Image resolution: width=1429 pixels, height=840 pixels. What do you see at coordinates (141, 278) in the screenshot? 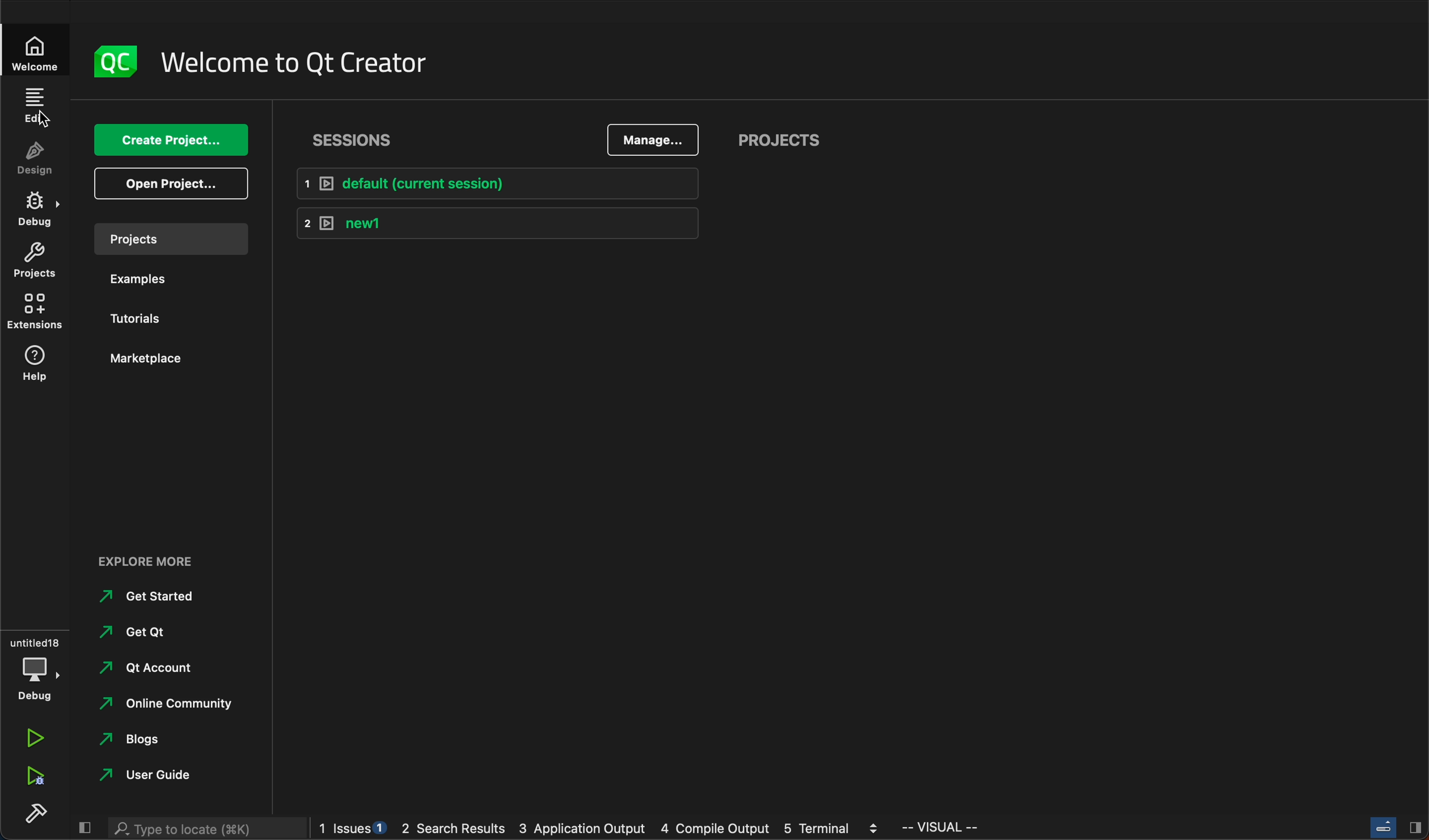
I see `examples` at bounding box center [141, 278].